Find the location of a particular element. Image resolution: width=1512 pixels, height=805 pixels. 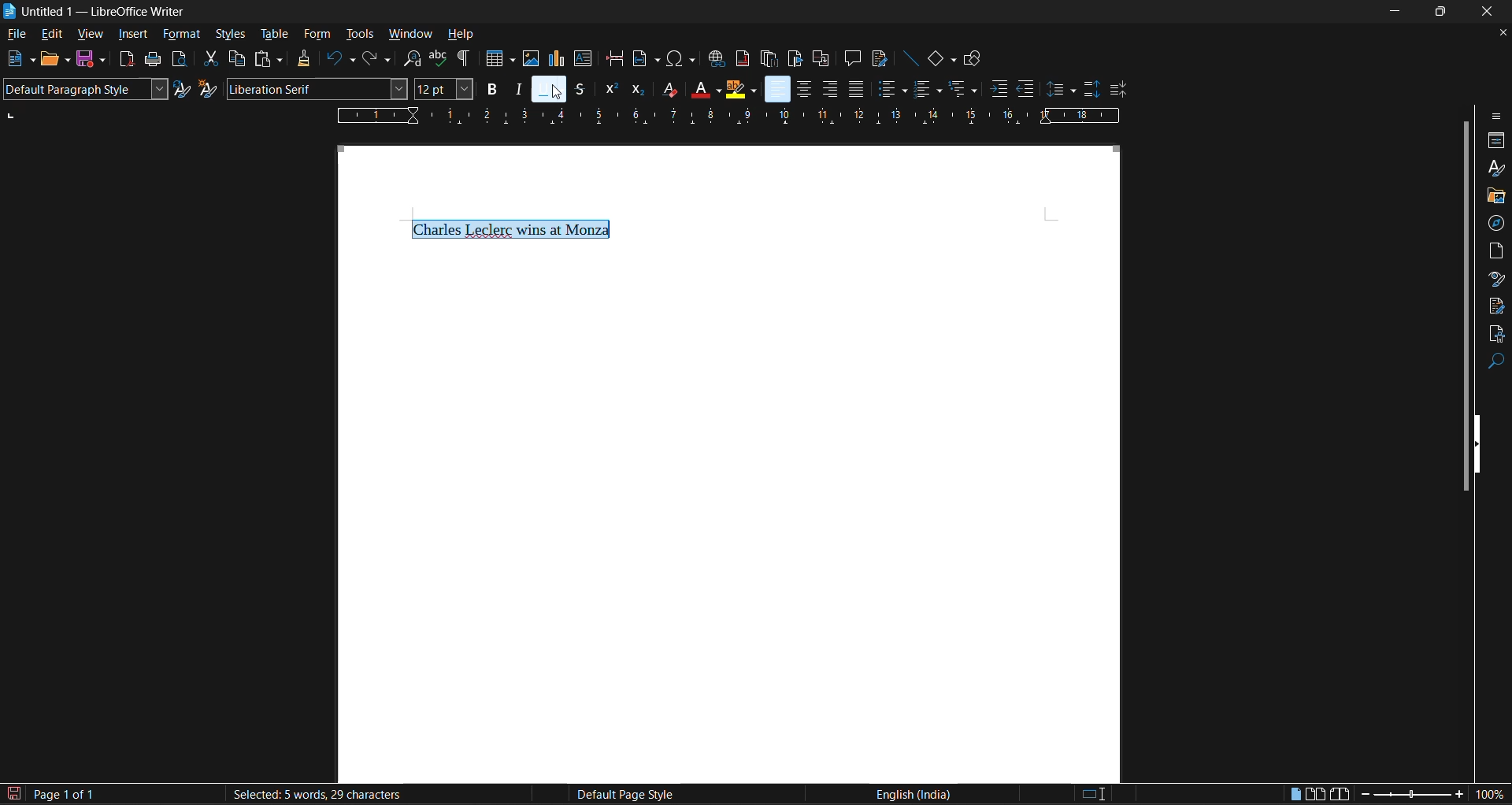

zoom in is located at coordinates (1460, 795).